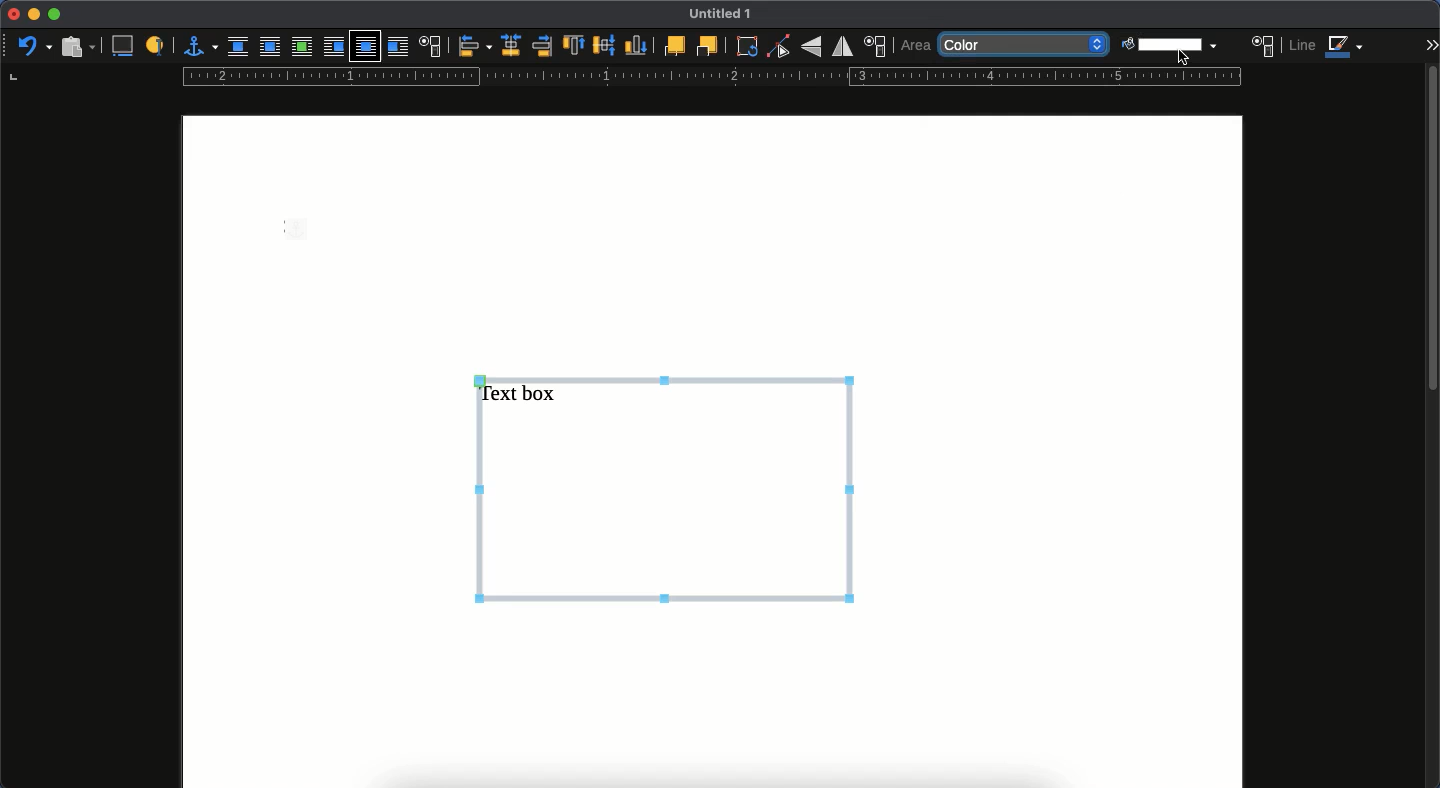  What do you see at coordinates (56, 15) in the screenshot?
I see `maximize` at bounding box center [56, 15].